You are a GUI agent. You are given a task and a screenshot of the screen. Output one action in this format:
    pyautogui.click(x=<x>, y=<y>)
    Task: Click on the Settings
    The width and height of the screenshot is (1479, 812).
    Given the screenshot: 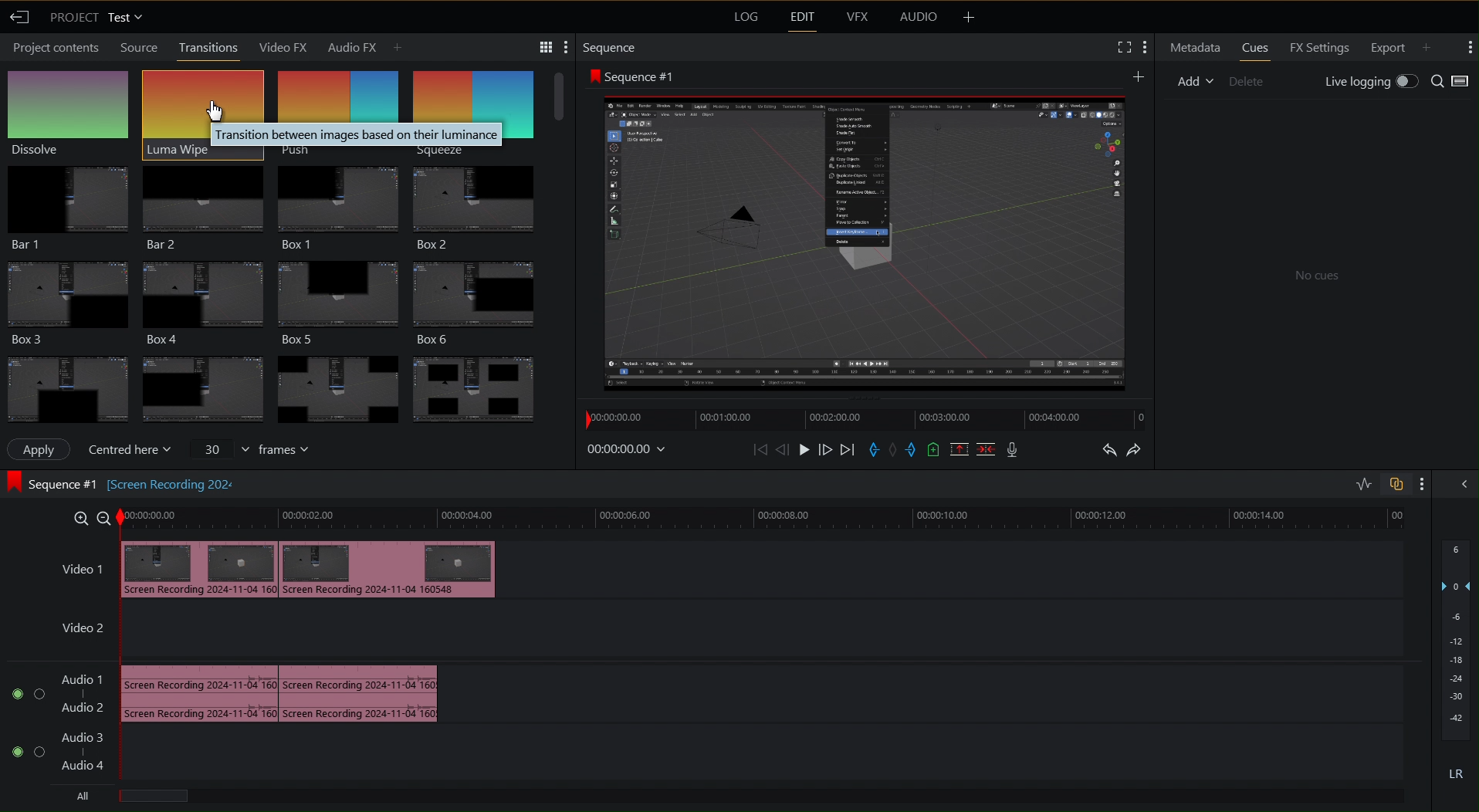 What is the action you would take?
    pyautogui.click(x=540, y=46)
    